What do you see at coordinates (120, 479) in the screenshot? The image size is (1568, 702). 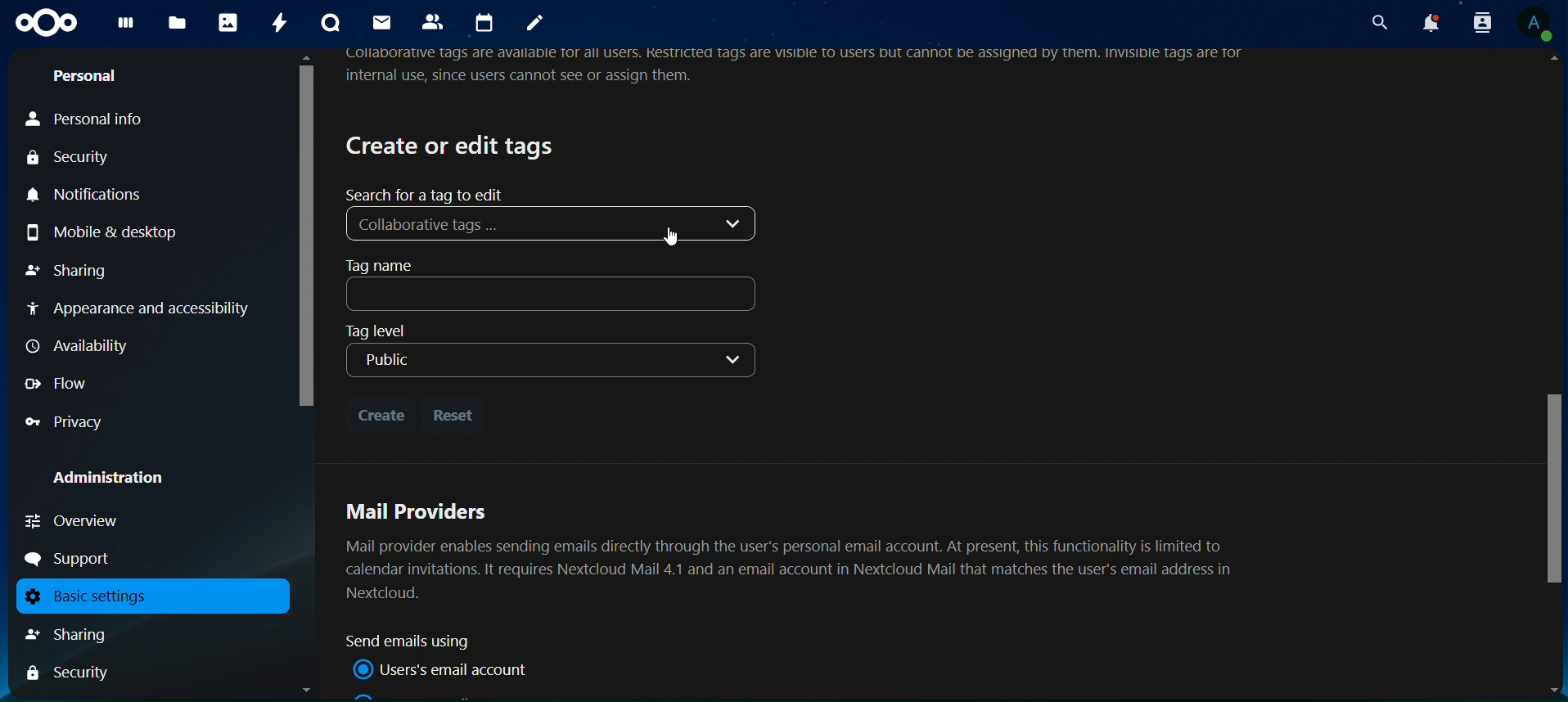 I see `administration` at bounding box center [120, 479].